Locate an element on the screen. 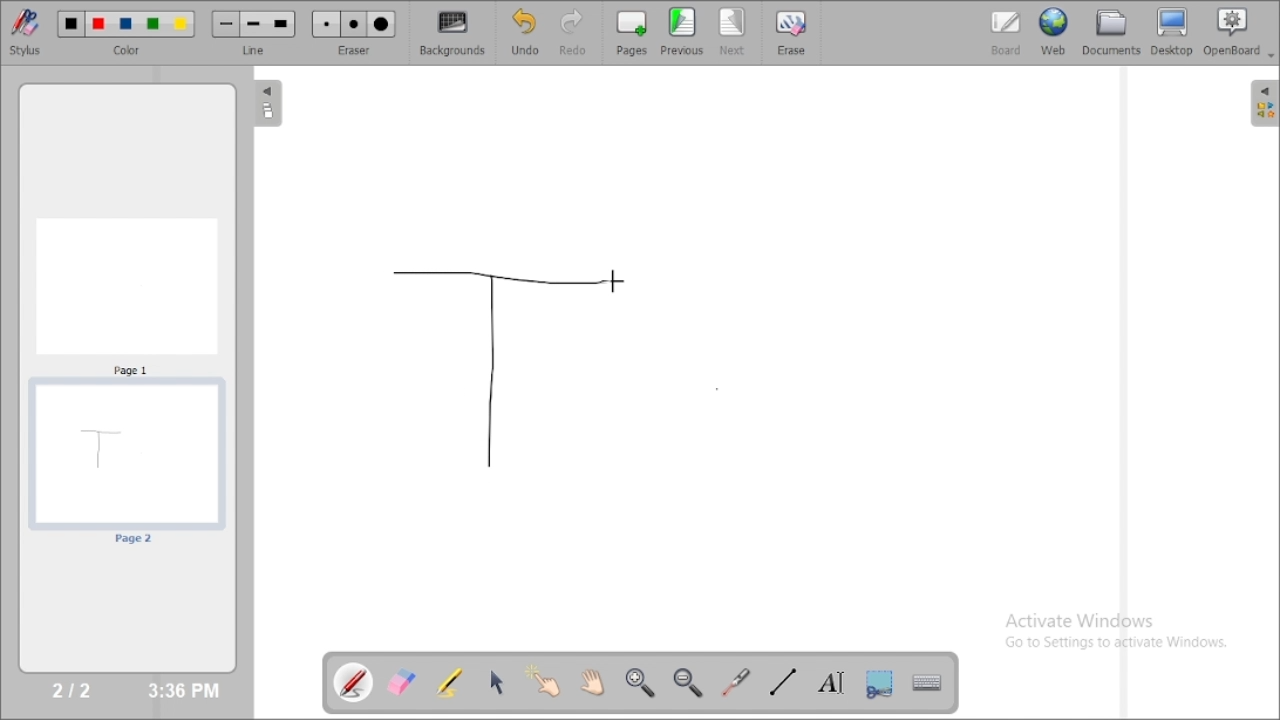 This screenshot has height=720, width=1280. backgrounds is located at coordinates (454, 33).